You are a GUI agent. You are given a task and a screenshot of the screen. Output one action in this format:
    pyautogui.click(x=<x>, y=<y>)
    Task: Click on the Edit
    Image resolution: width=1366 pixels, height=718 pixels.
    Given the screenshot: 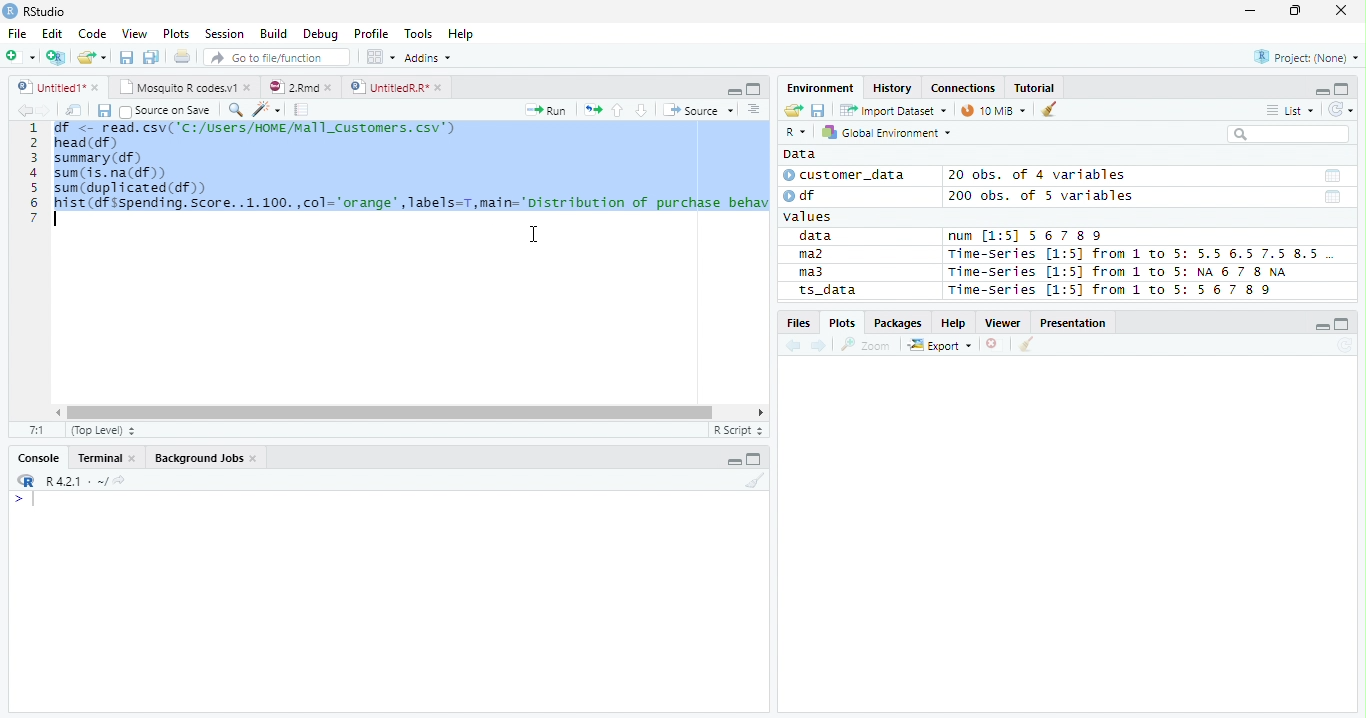 What is the action you would take?
    pyautogui.click(x=51, y=32)
    